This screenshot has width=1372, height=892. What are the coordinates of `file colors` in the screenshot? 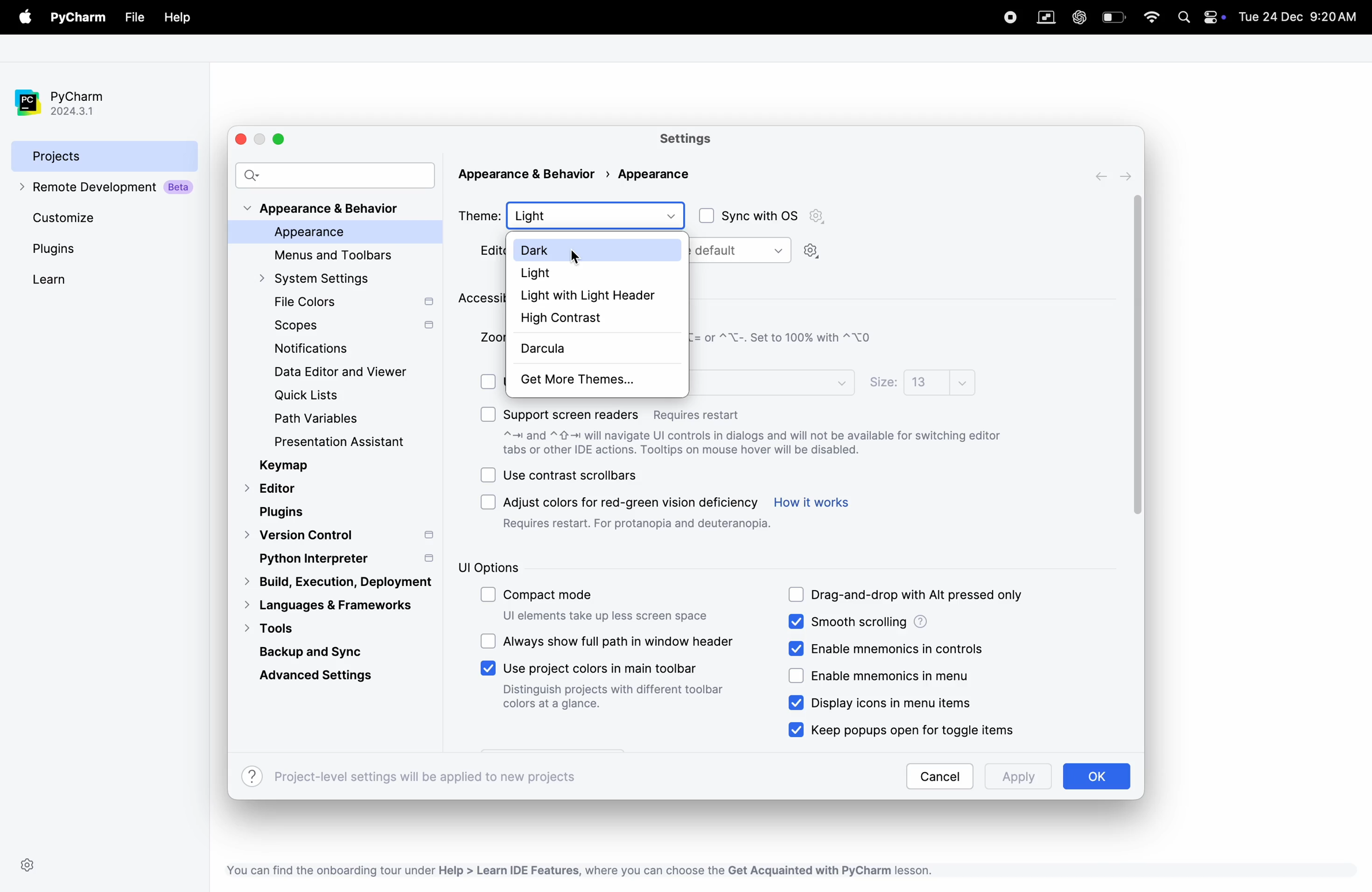 It's located at (351, 303).